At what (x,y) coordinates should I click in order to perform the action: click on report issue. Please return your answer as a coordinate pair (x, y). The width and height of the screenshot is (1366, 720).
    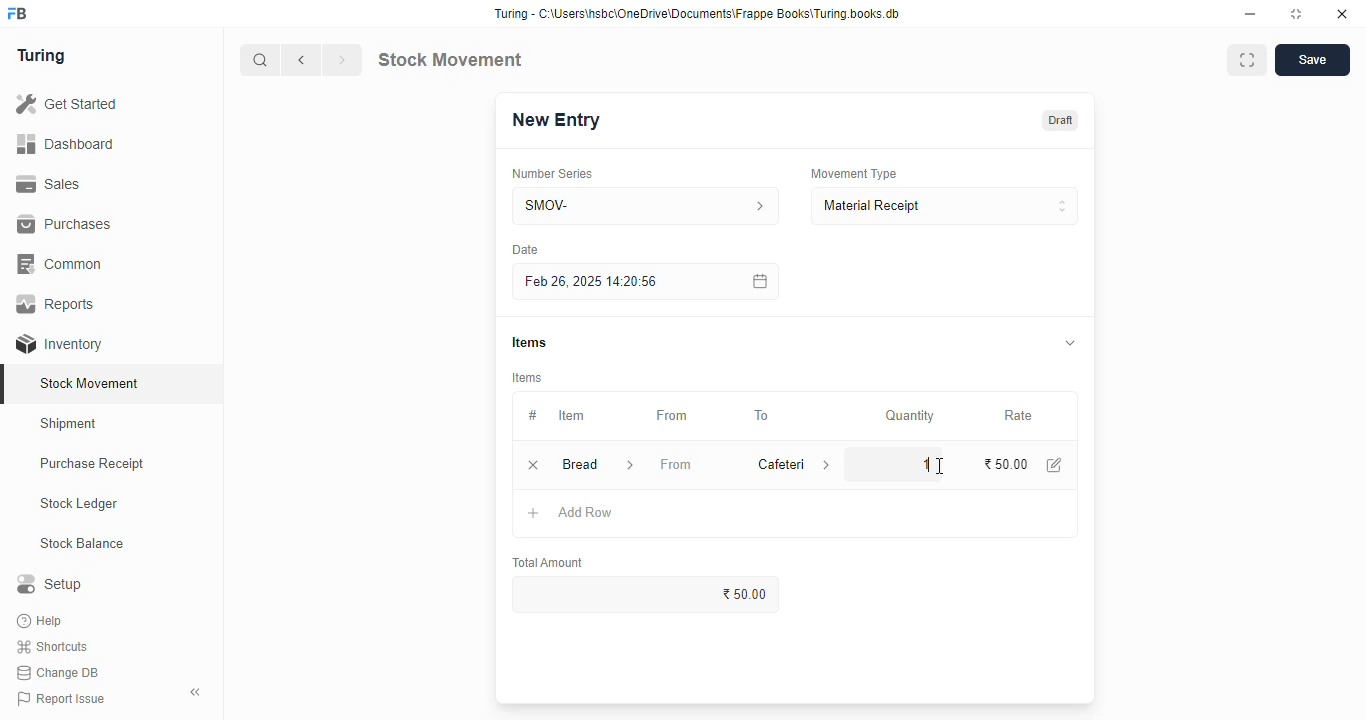
    Looking at the image, I should click on (61, 698).